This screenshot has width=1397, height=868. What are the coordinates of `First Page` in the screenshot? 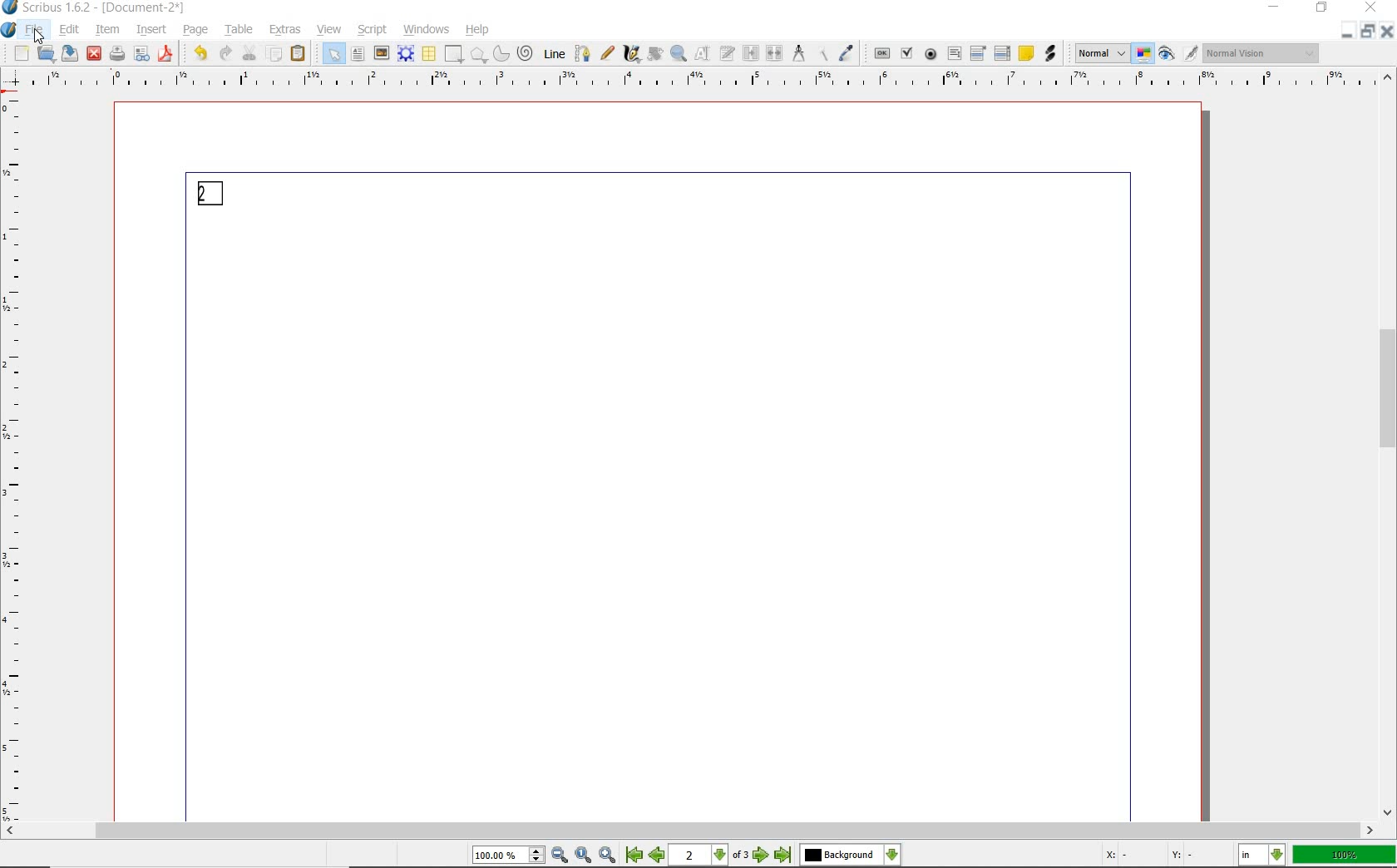 It's located at (634, 856).